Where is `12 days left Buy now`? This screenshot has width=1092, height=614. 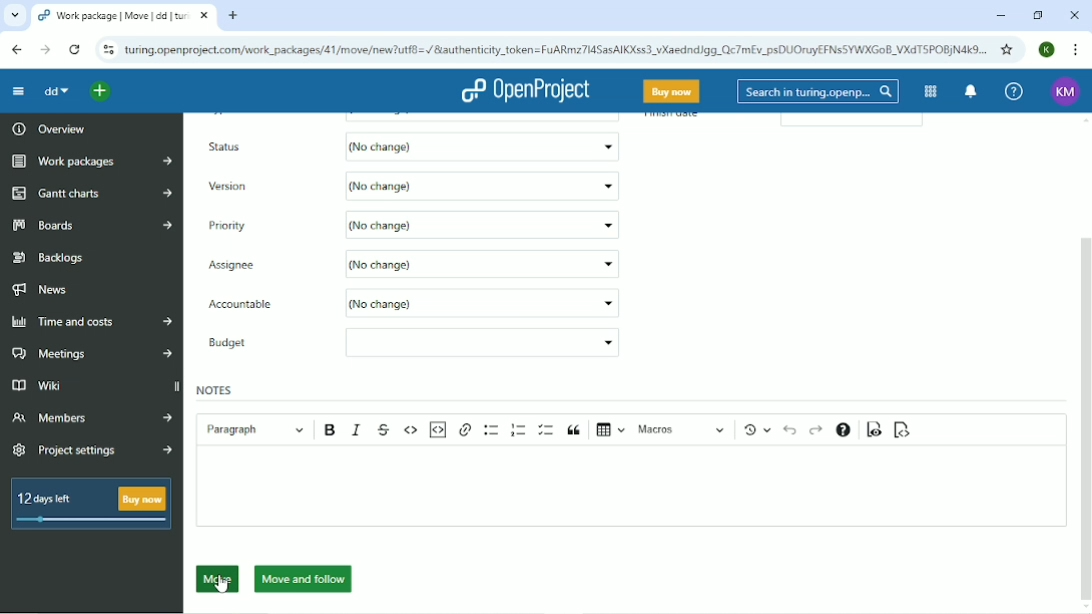
12 days left Buy now is located at coordinates (95, 509).